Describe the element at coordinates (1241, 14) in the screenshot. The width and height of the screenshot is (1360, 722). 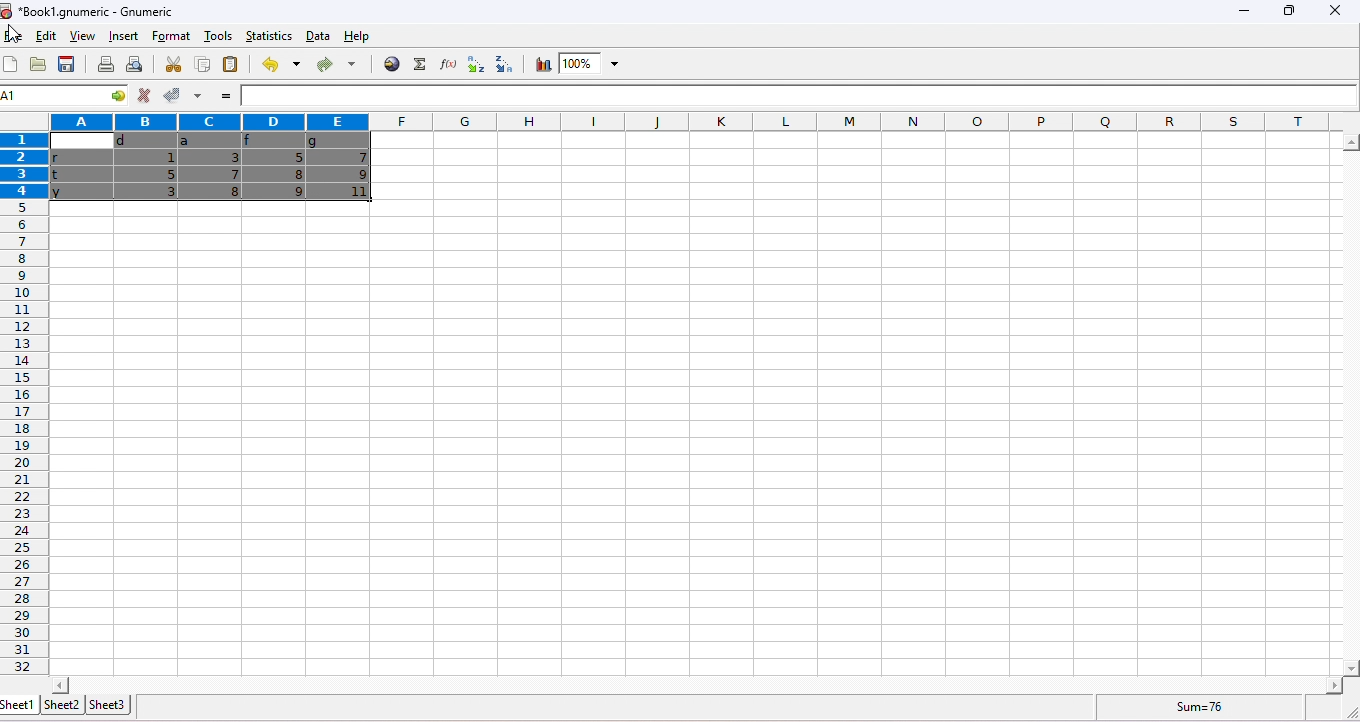
I see `minimize` at that location.